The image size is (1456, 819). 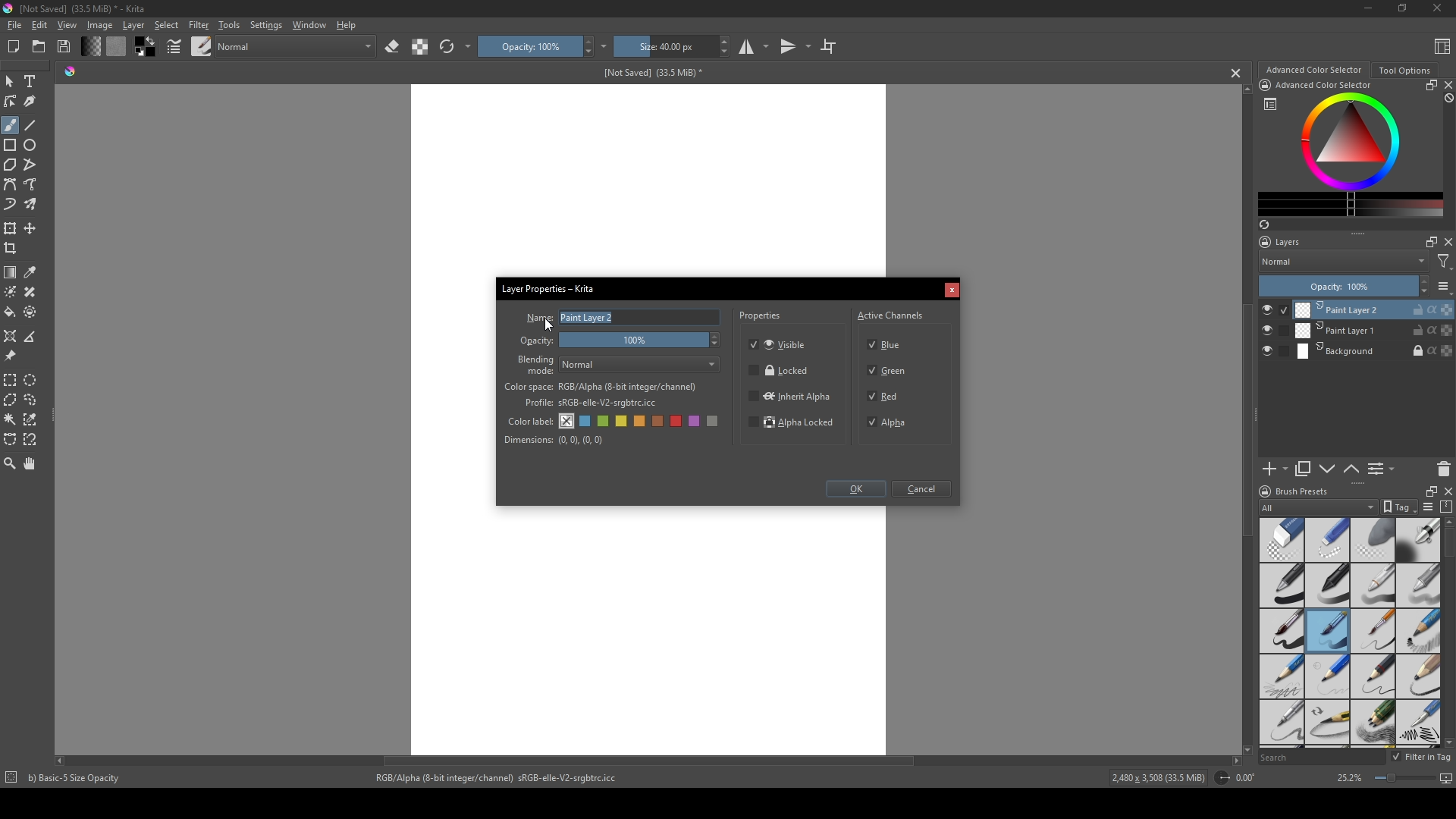 I want to click on contrast, so click(x=419, y=46).